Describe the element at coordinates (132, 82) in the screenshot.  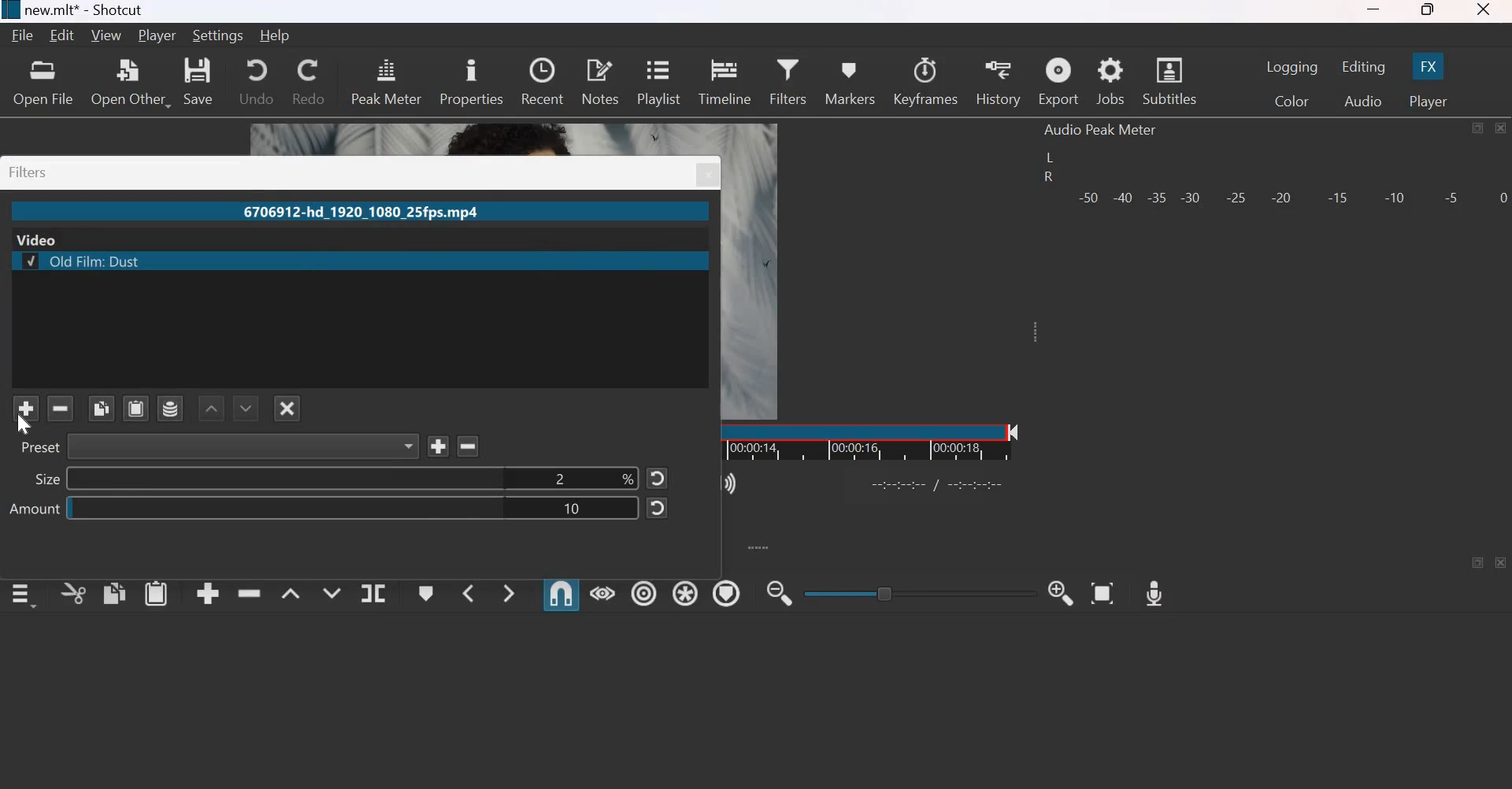
I see `Open other` at that location.